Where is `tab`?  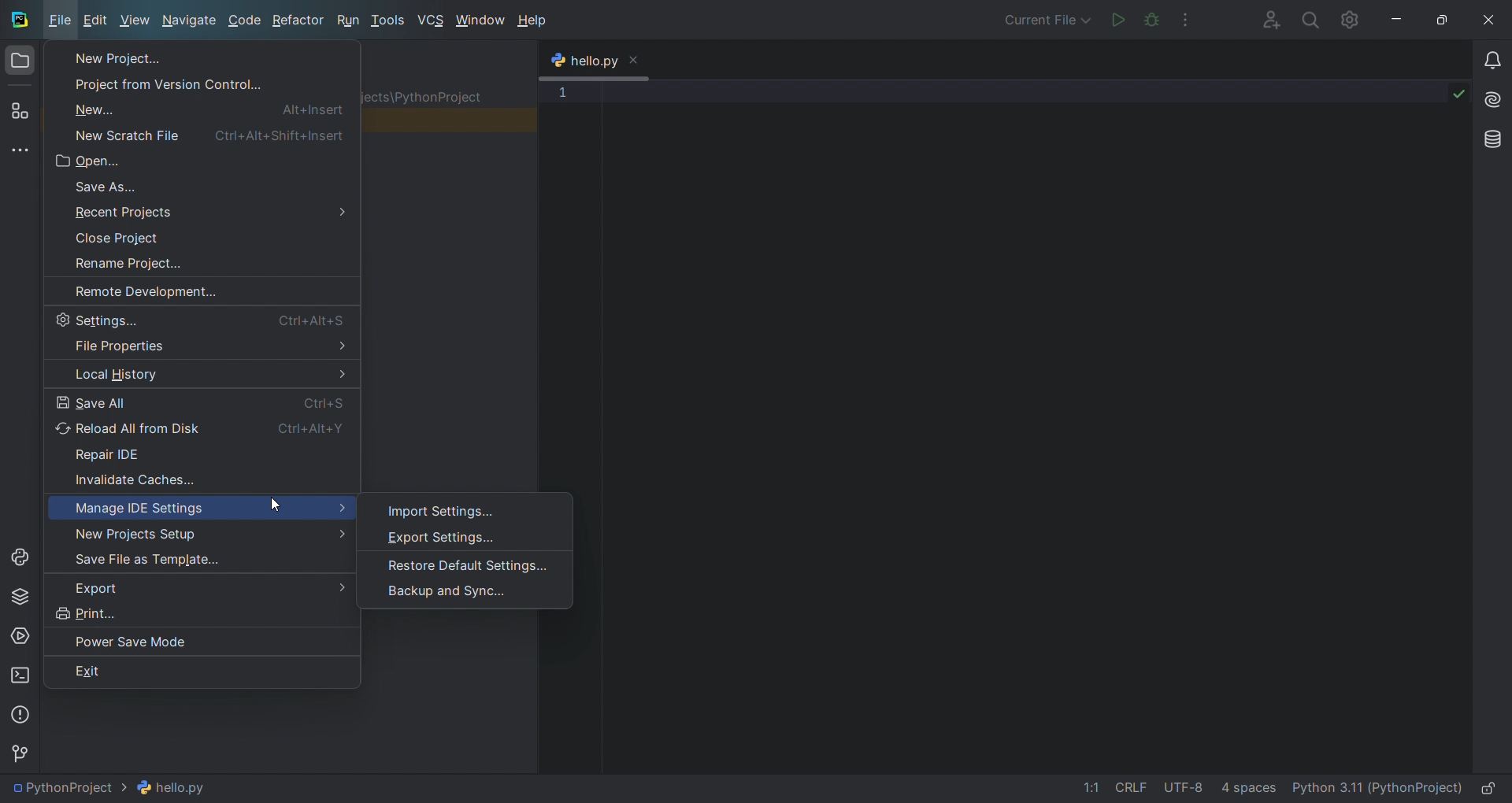 tab is located at coordinates (595, 62).